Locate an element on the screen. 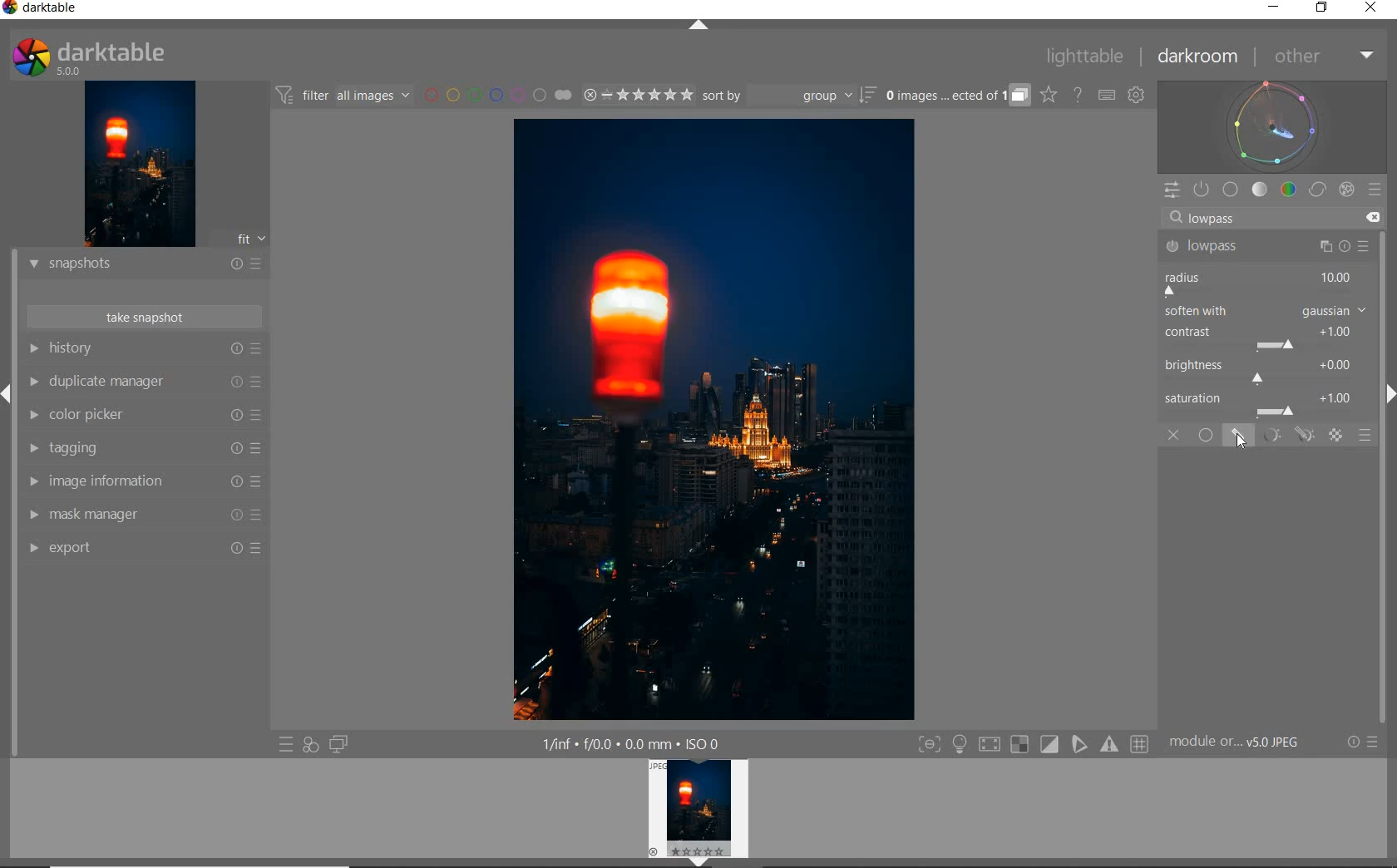 The height and width of the screenshot is (868, 1397). Searchbar is located at coordinates (1259, 217).